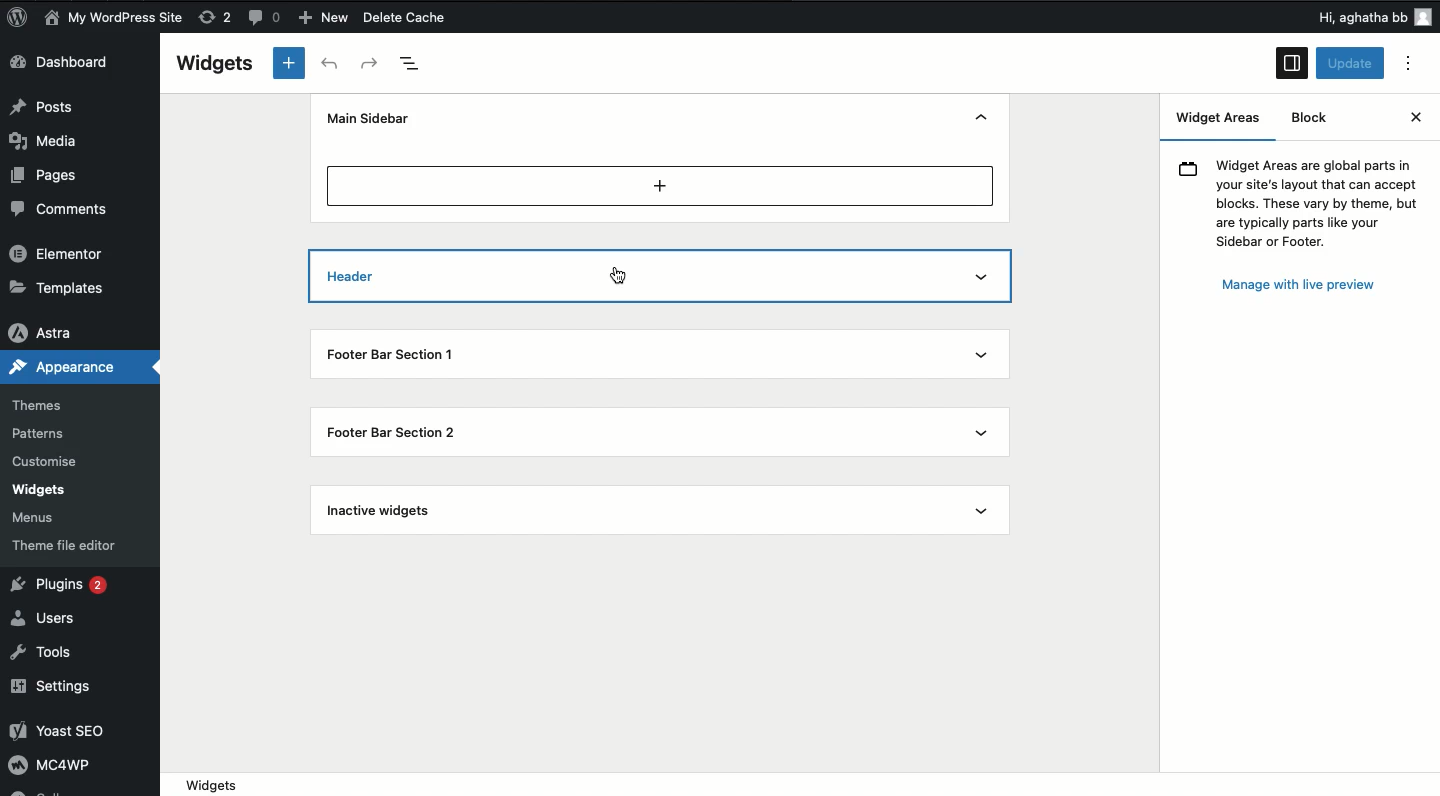  What do you see at coordinates (63, 209) in the screenshot?
I see `Comments` at bounding box center [63, 209].